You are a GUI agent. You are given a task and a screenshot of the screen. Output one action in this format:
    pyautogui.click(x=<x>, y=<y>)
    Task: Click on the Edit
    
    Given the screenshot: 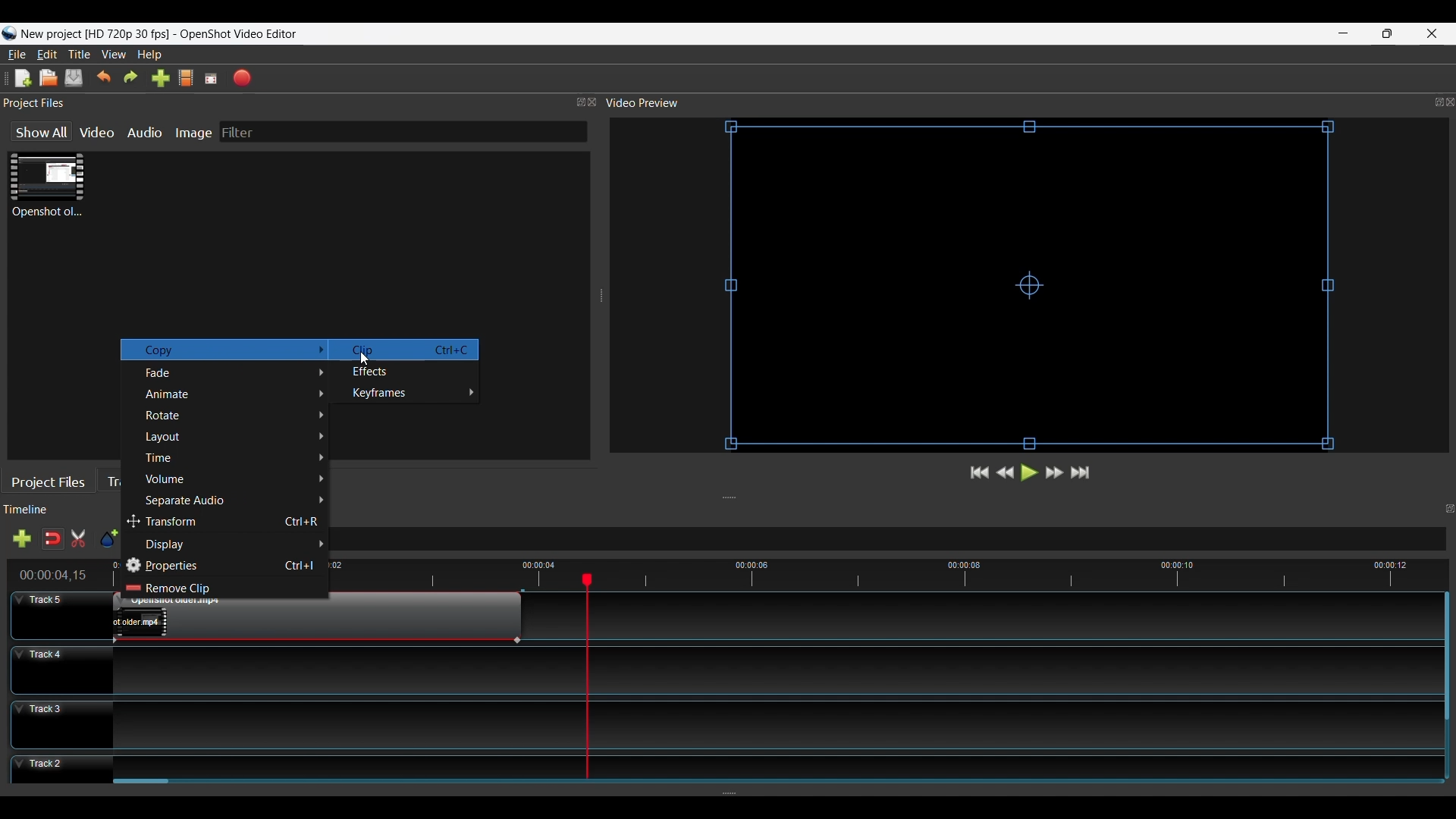 What is the action you would take?
    pyautogui.click(x=49, y=55)
    